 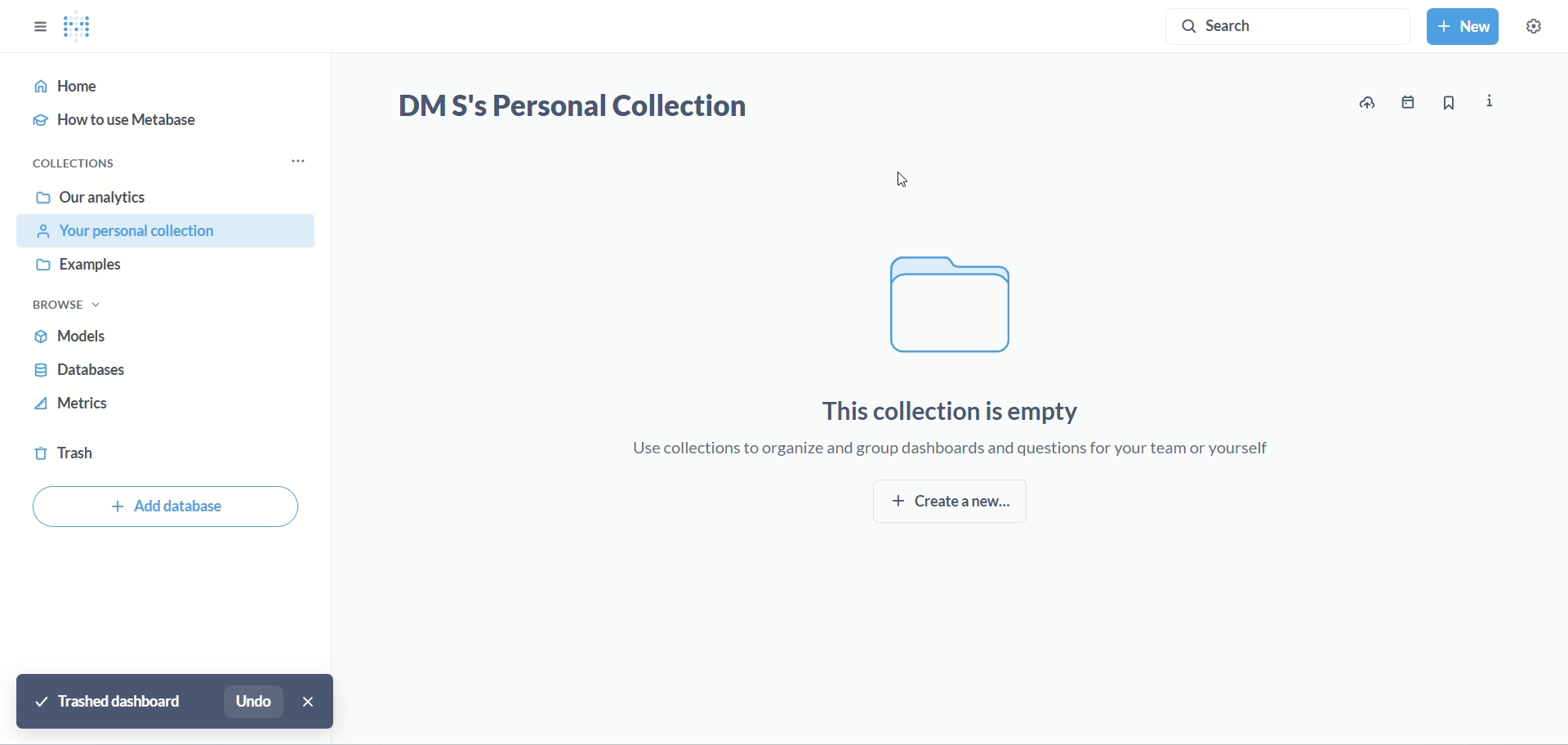 I want to click on SHOW SIDEBAR , so click(x=40, y=22).